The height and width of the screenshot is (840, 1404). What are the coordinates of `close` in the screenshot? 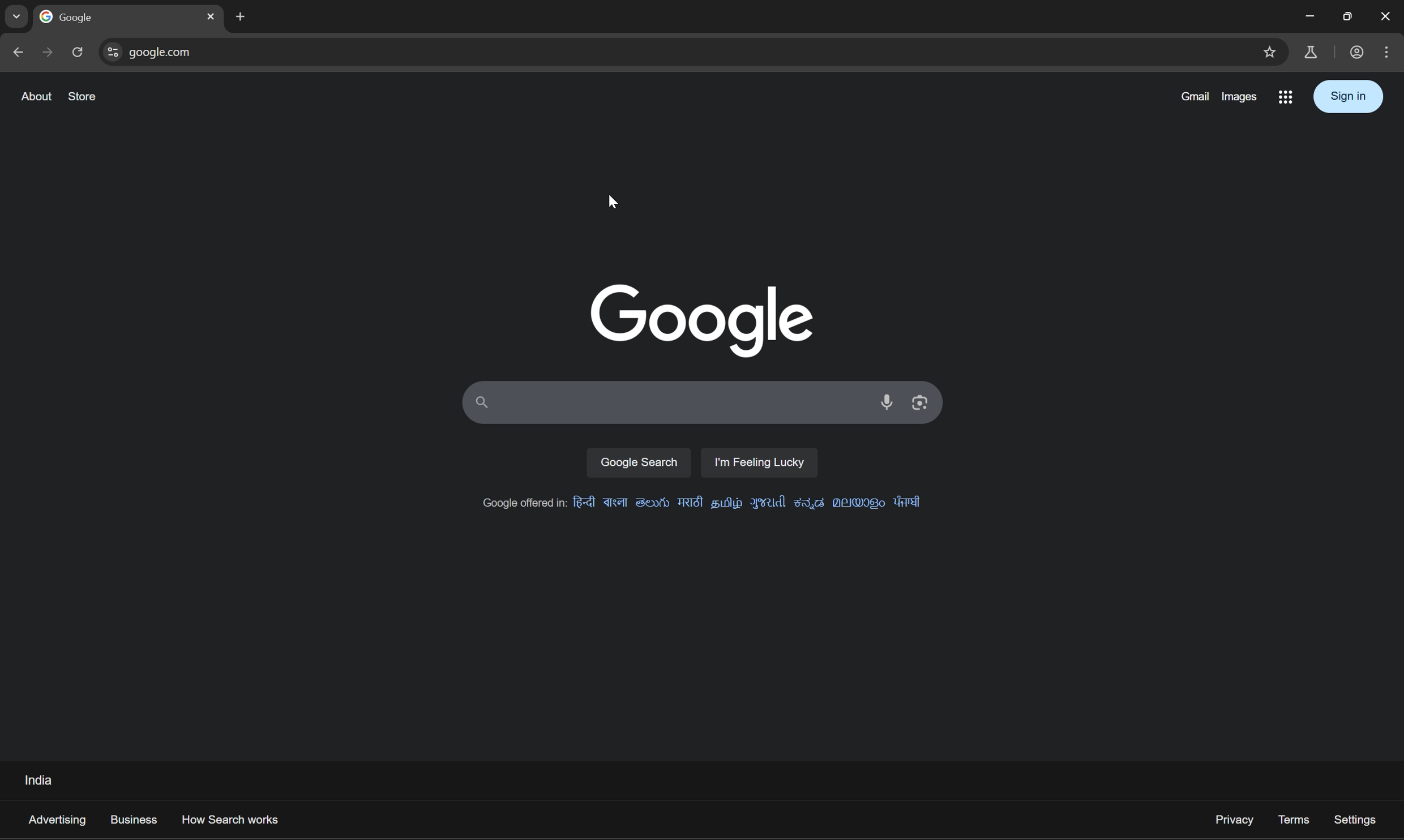 It's located at (209, 17).